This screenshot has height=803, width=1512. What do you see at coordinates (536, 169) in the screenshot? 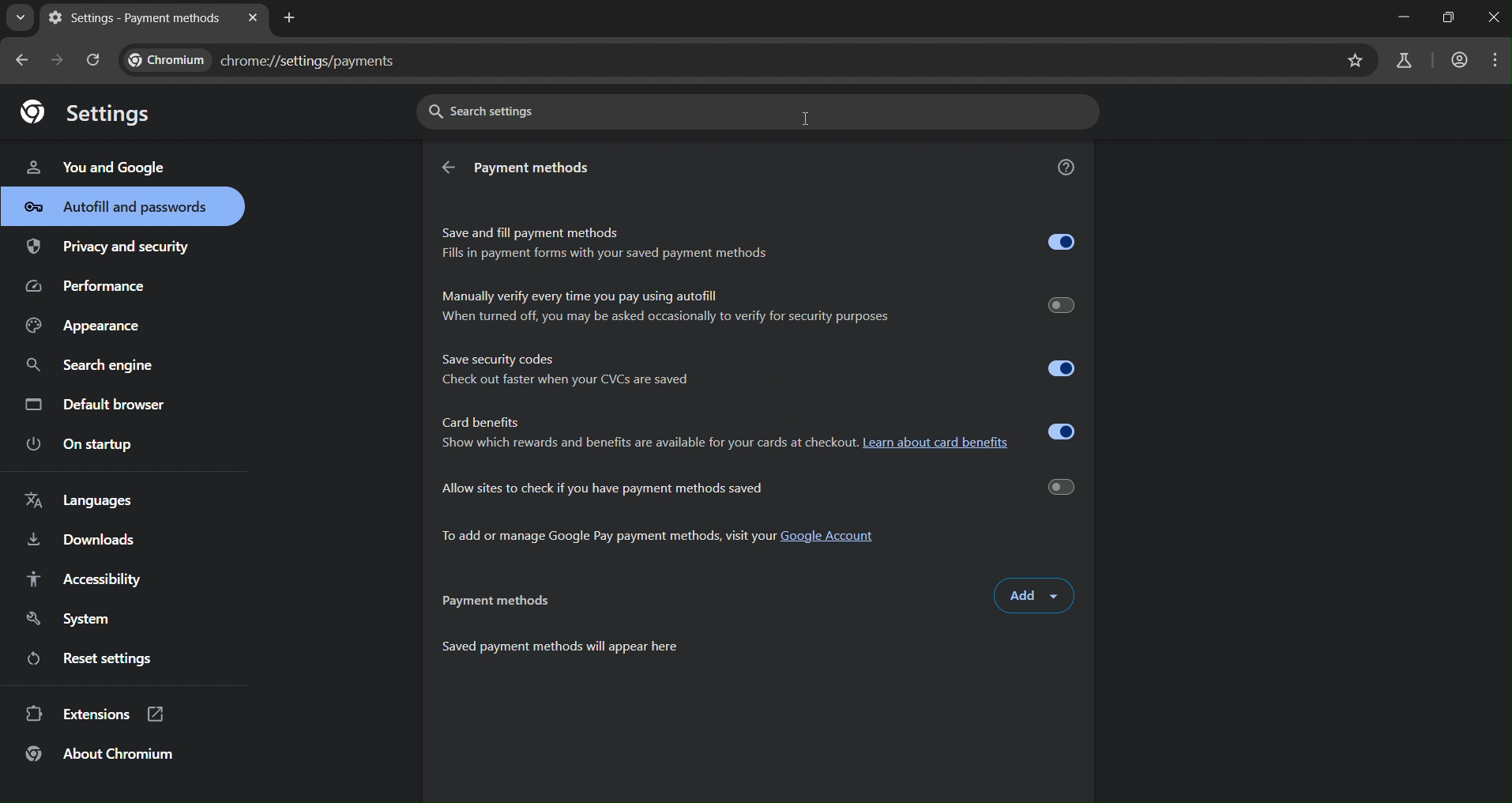
I see `payment methods` at bounding box center [536, 169].